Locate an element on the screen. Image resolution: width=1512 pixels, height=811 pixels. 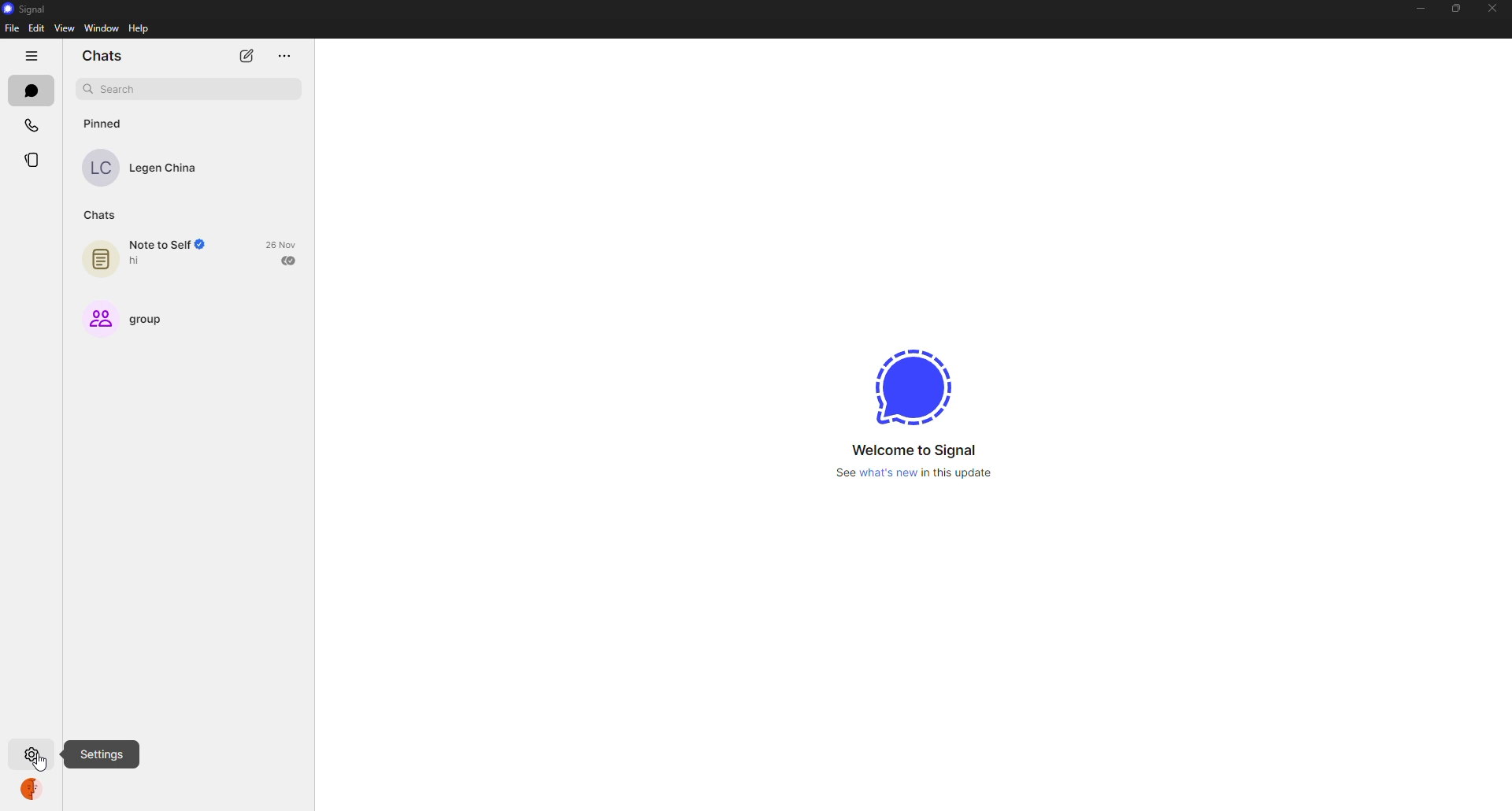
Legen China is located at coordinates (146, 168).